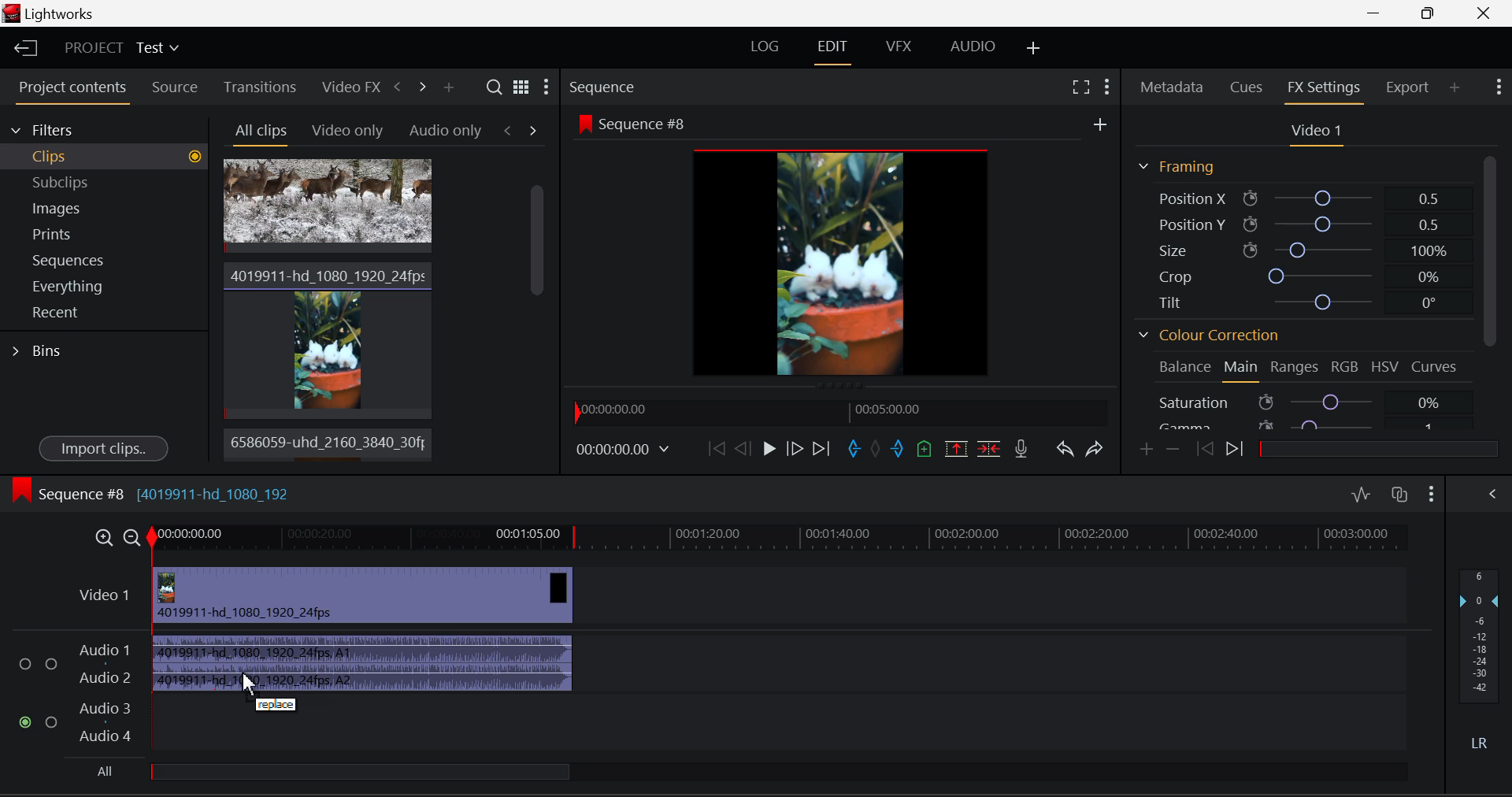 Image resolution: width=1512 pixels, height=797 pixels. What do you see at coordinates (629, 451) in the screenshot?
I see `Frame Time` at bounding box center [629, 451].